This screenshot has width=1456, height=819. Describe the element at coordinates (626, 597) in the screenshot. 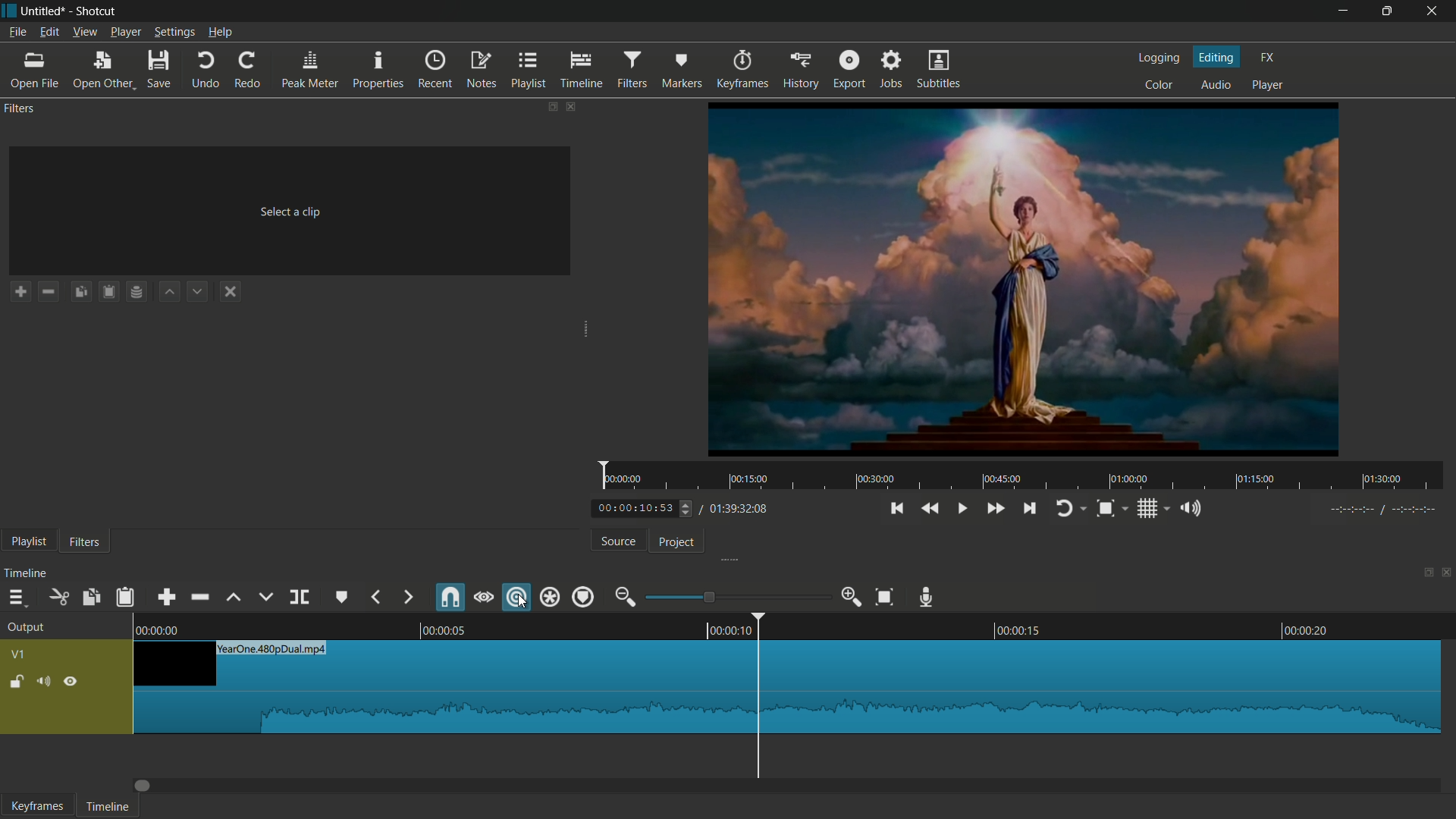

I see `zoom out` at that location.